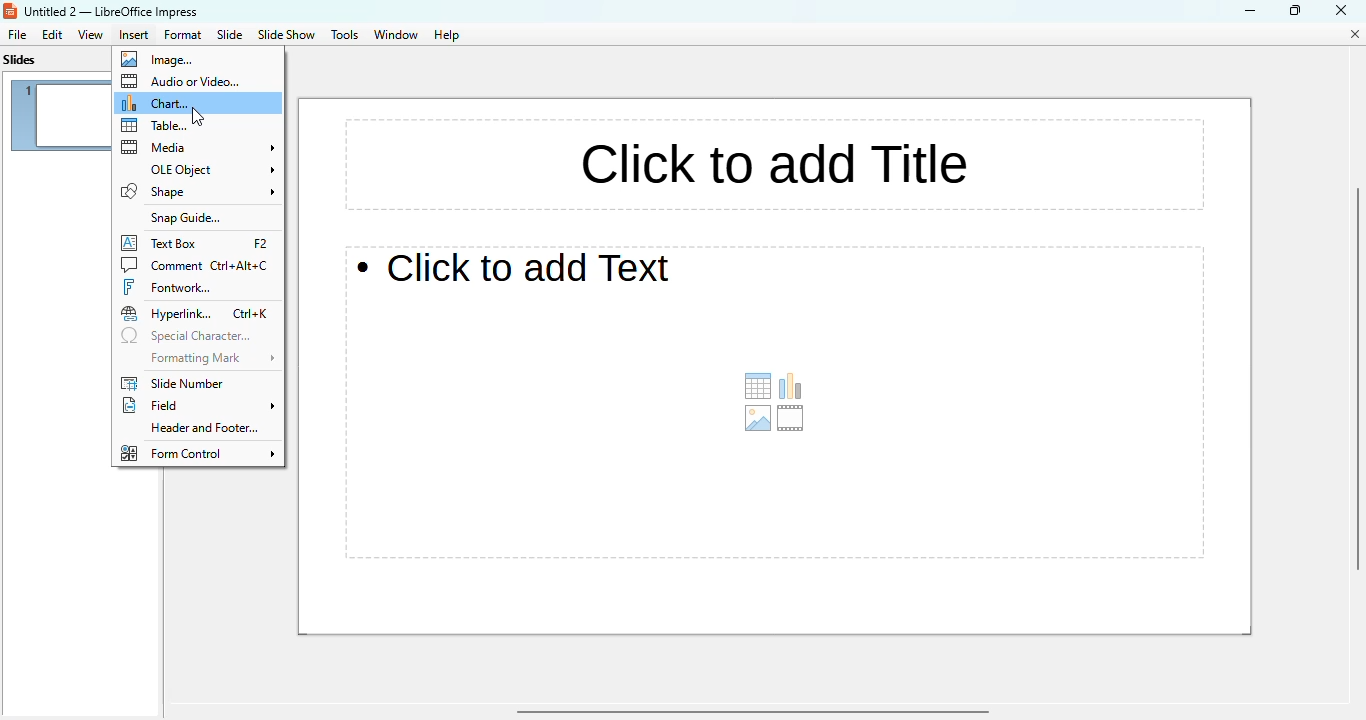 This screenshot has height=720, width=1366. What do you see at coordinates (155, 125) in the screenshot?
I see `table` at bounding box center [155, 125].